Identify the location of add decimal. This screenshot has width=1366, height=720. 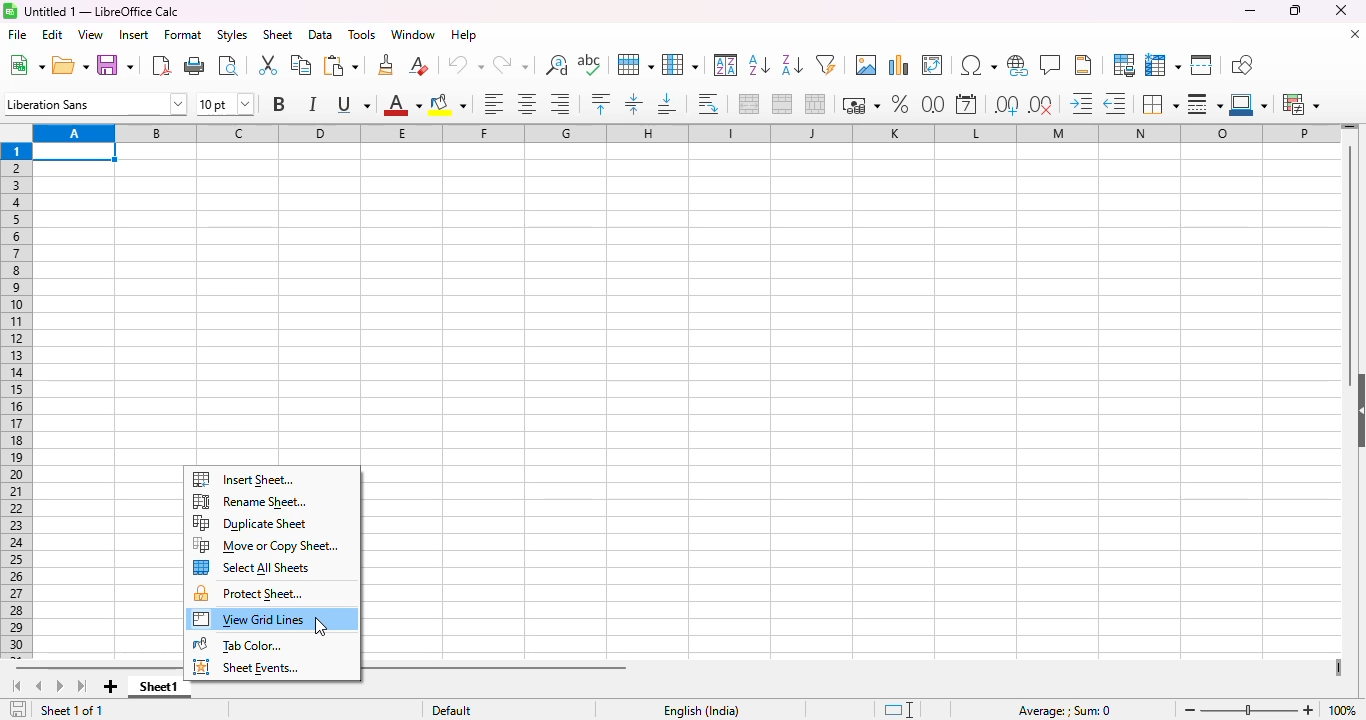
(1007, 104).